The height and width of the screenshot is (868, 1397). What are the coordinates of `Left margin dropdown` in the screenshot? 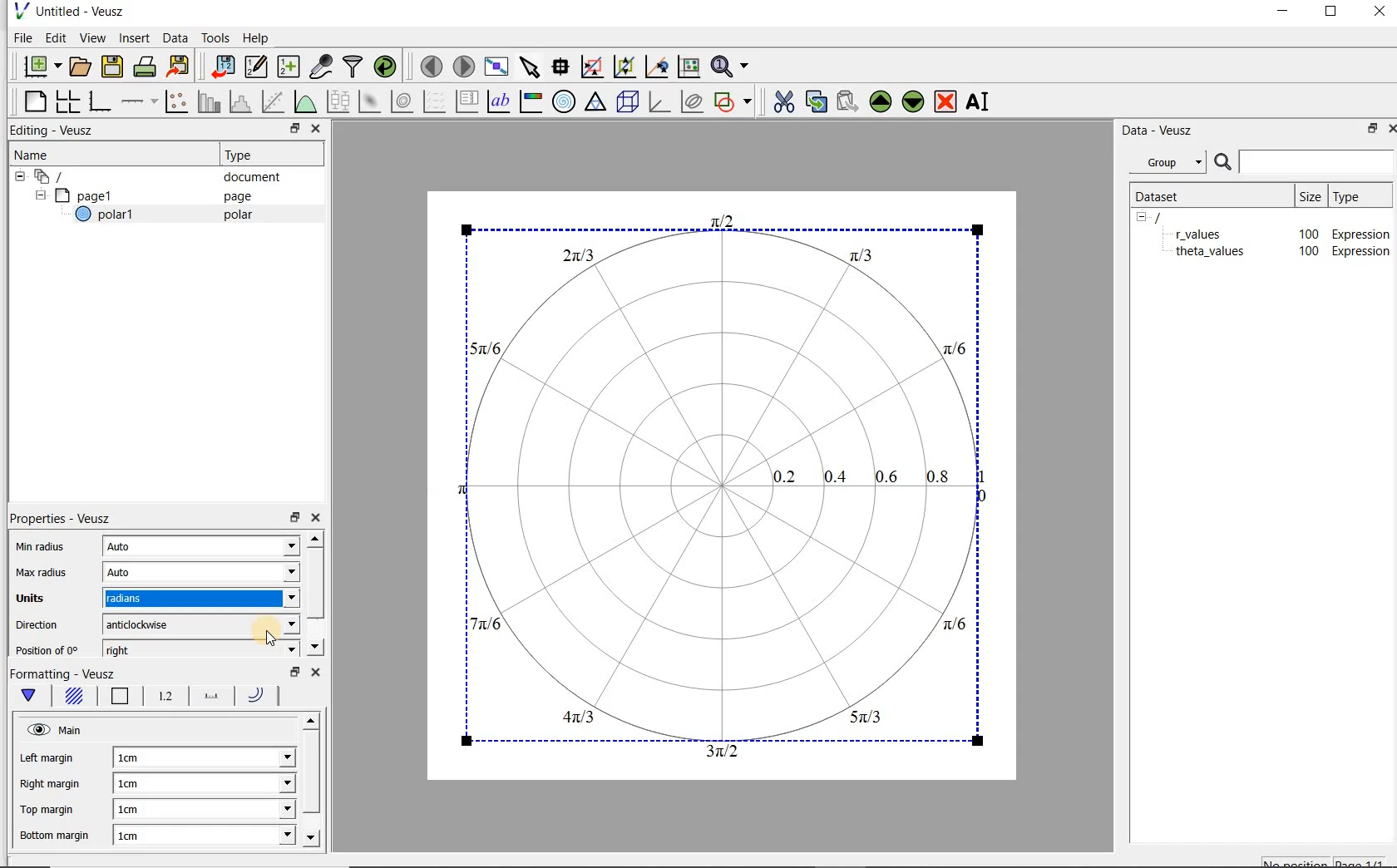 It's located at (257, 756).